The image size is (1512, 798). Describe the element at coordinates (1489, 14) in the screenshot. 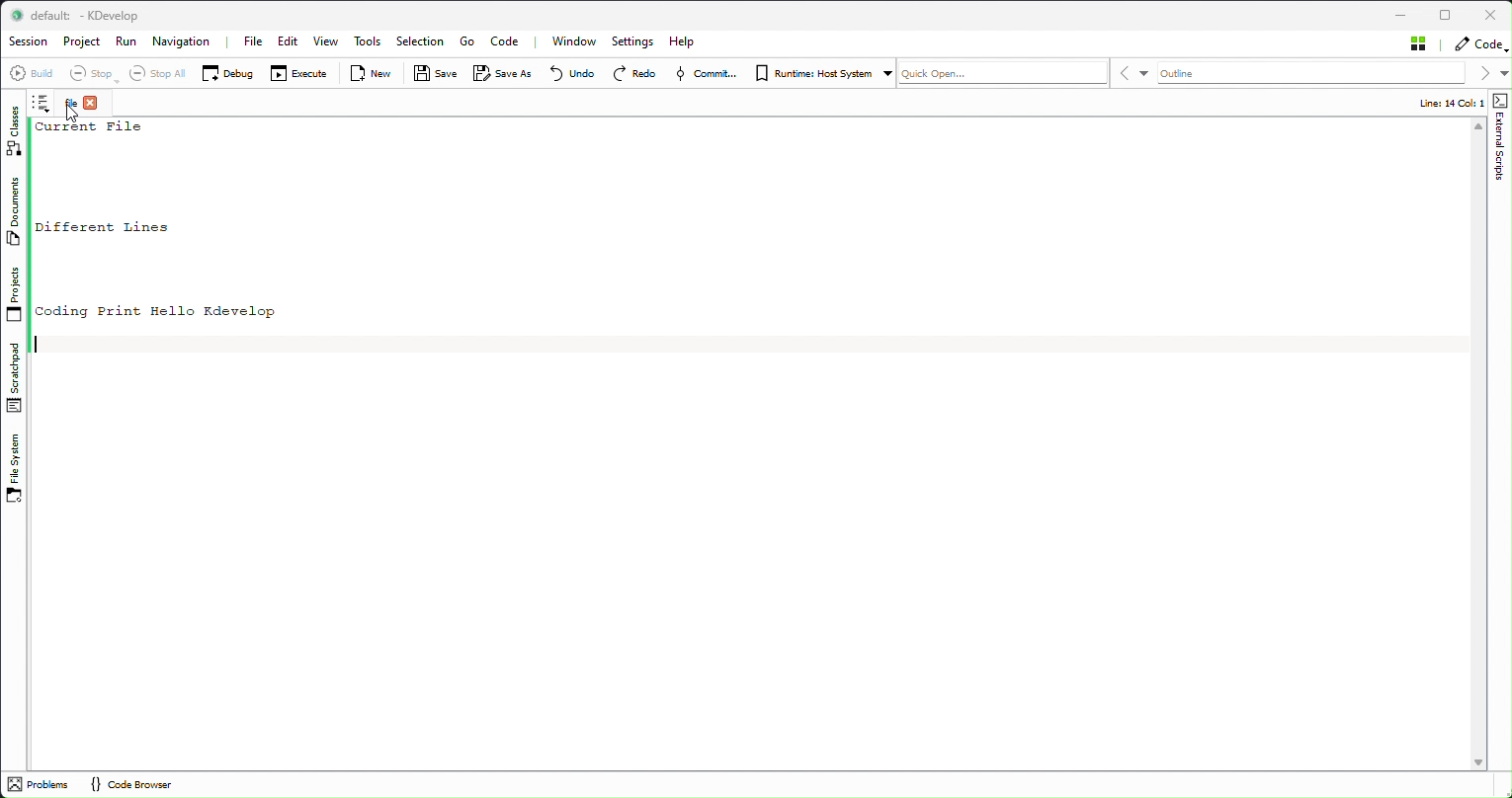

I see `Close` at that location.